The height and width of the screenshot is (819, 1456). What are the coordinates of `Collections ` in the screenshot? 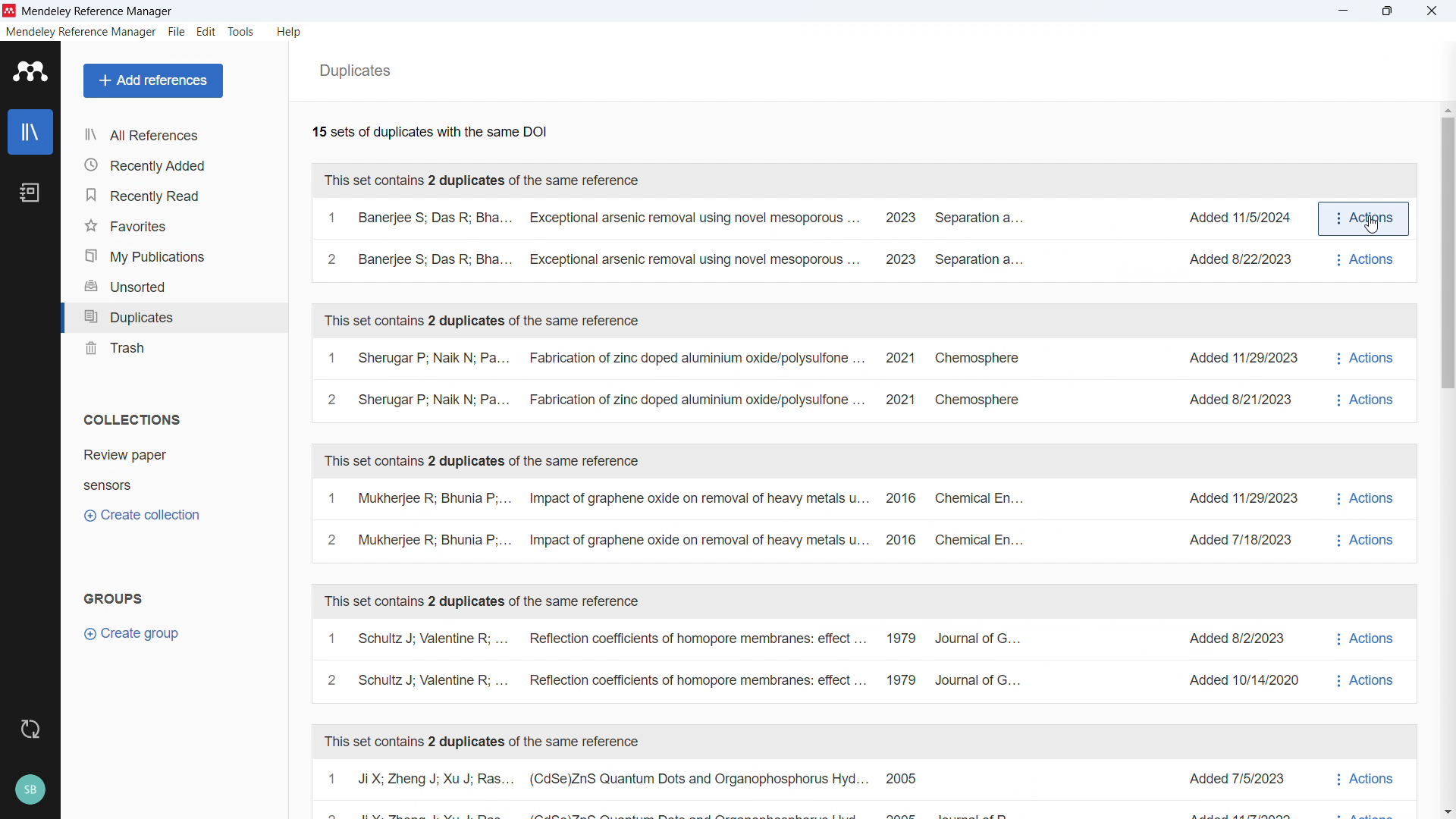 It's located at (133, 420).